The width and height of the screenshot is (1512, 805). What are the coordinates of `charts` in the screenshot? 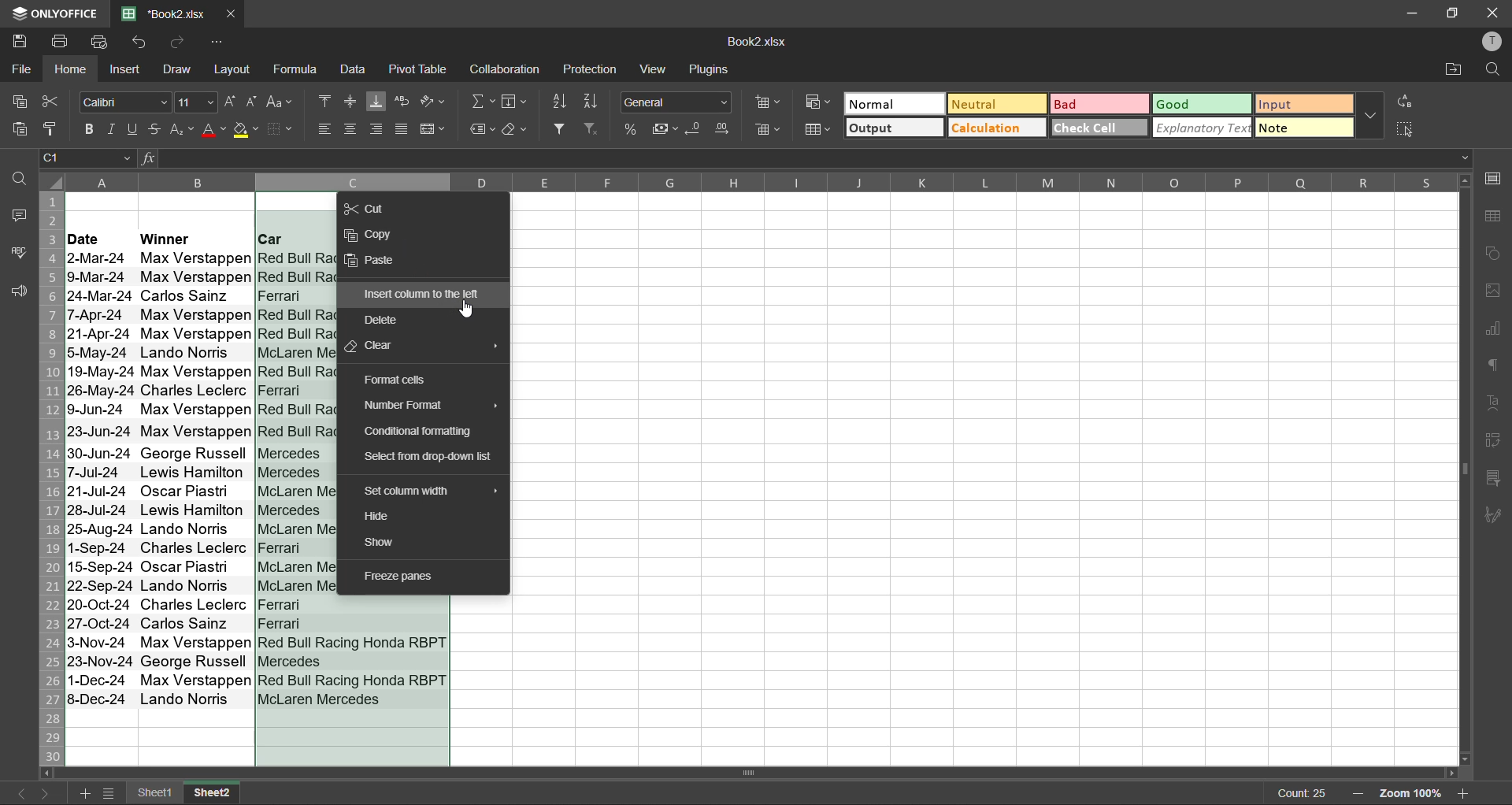 It's located at (1496, 331).